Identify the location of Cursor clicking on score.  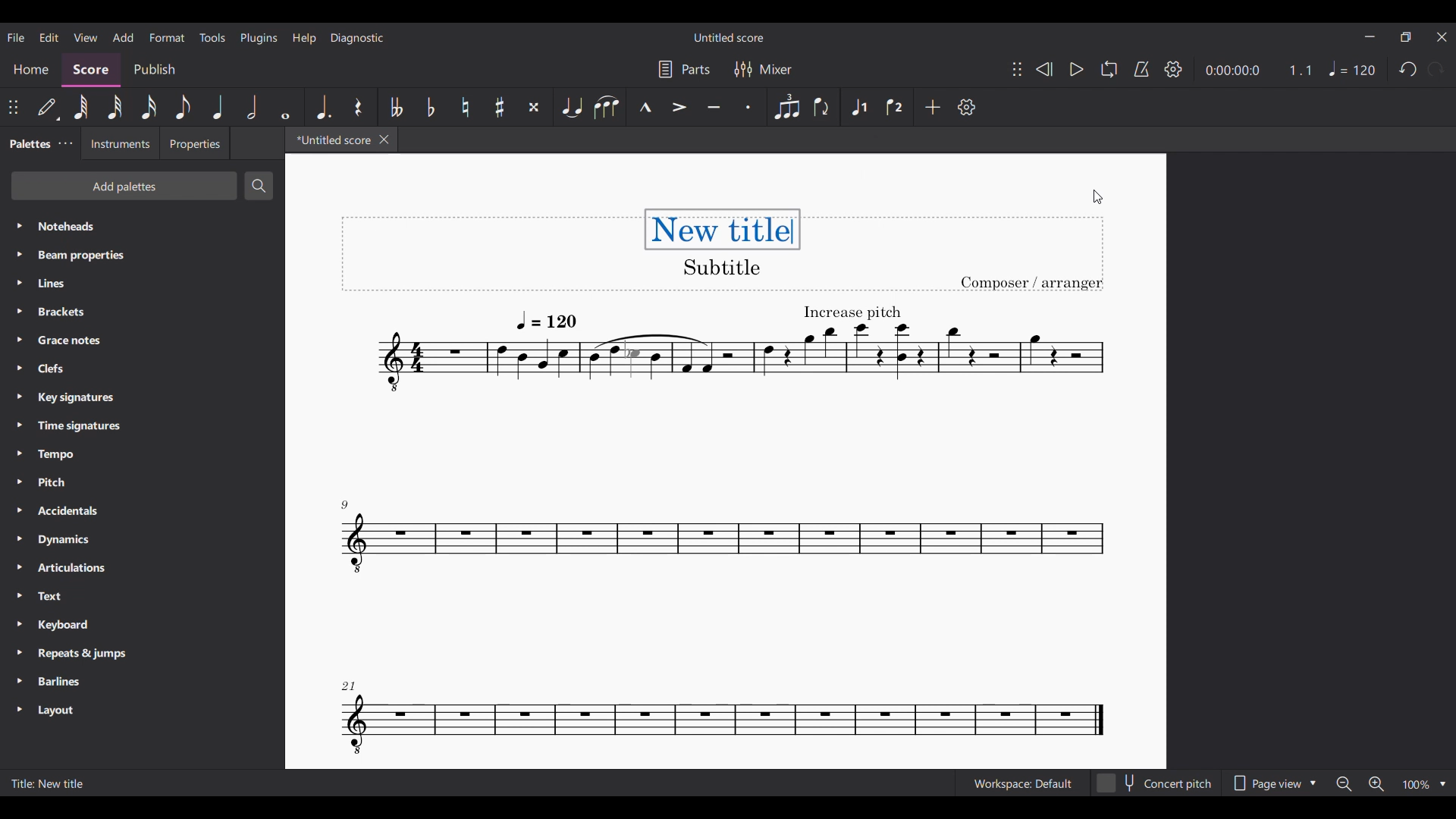
(1098, 197).